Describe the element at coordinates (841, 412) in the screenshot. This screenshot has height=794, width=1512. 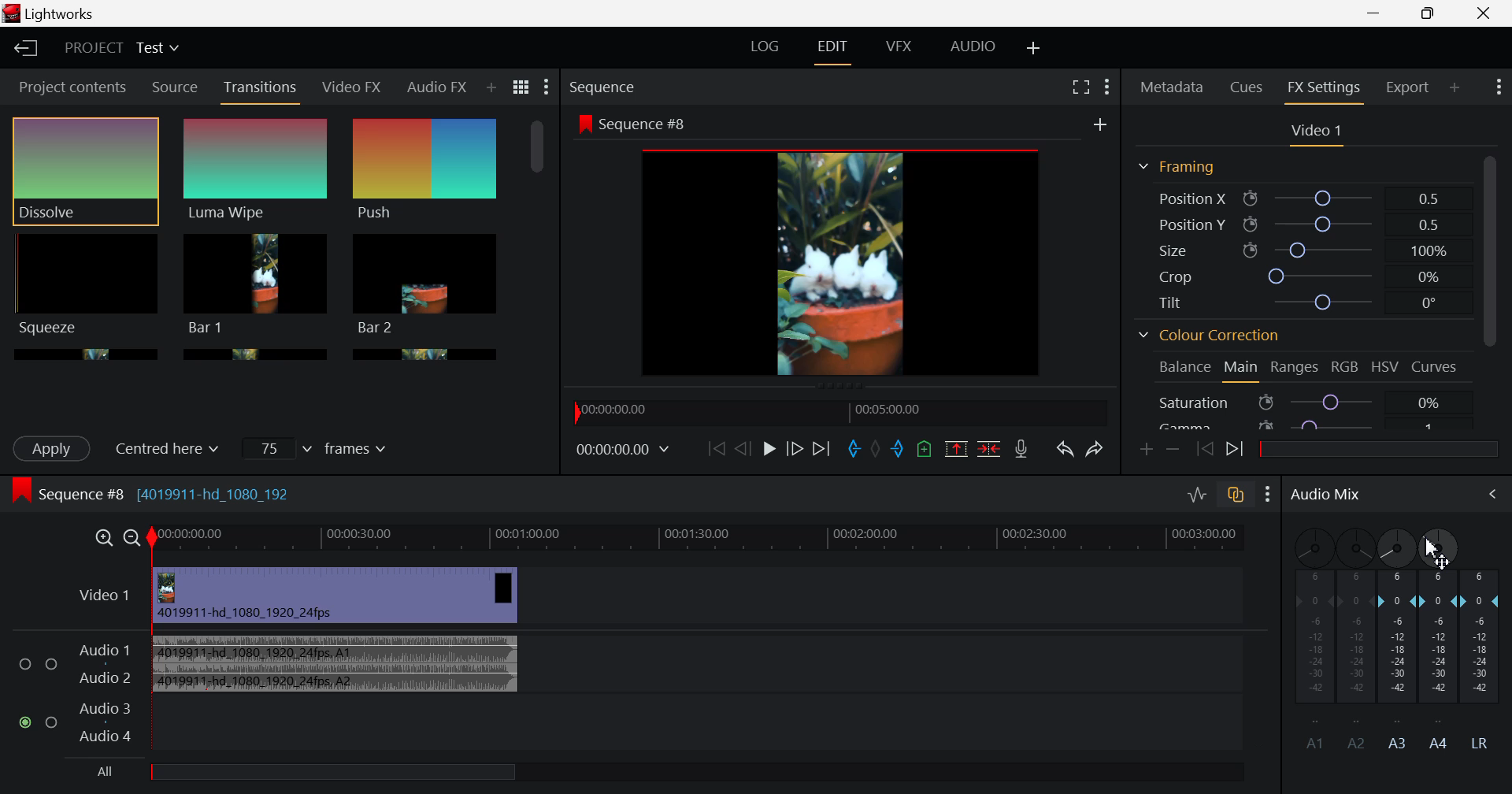
I see `Timeline Navigator` at that location.